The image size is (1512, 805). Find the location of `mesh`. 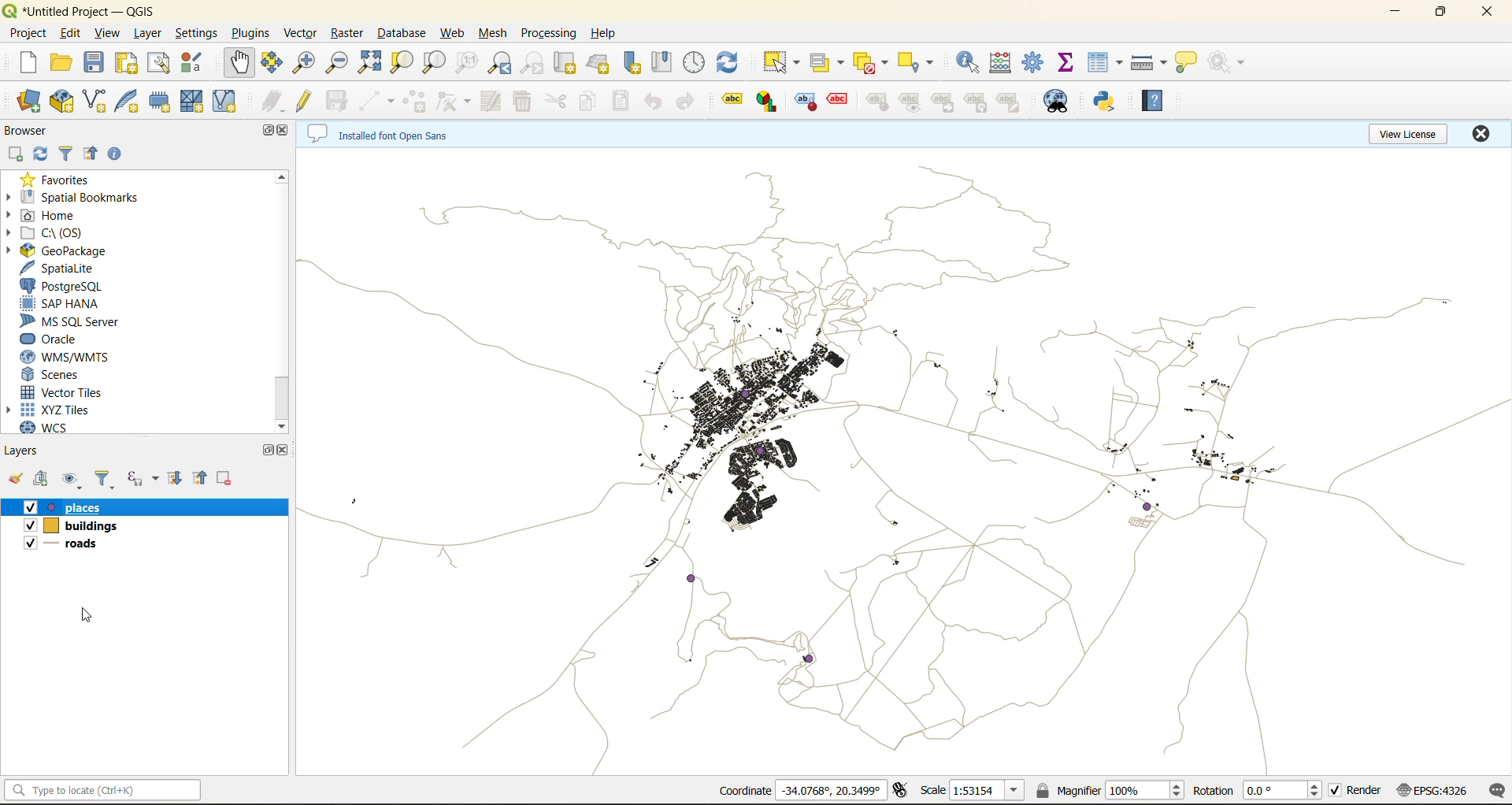

mesh is located at coordinates (495, 35).